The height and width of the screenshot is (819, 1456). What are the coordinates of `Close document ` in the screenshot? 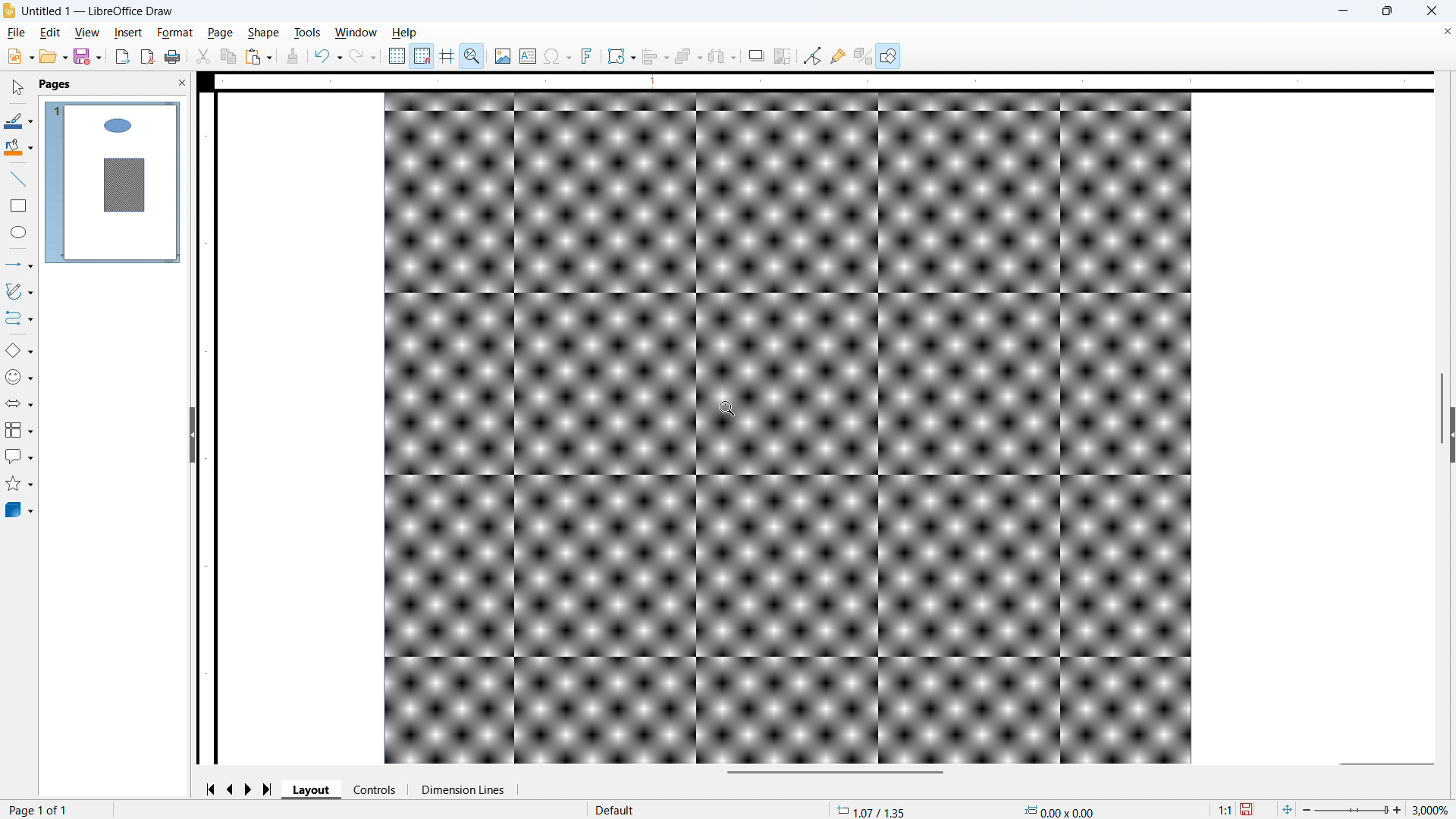 It's located at (1445, 32).